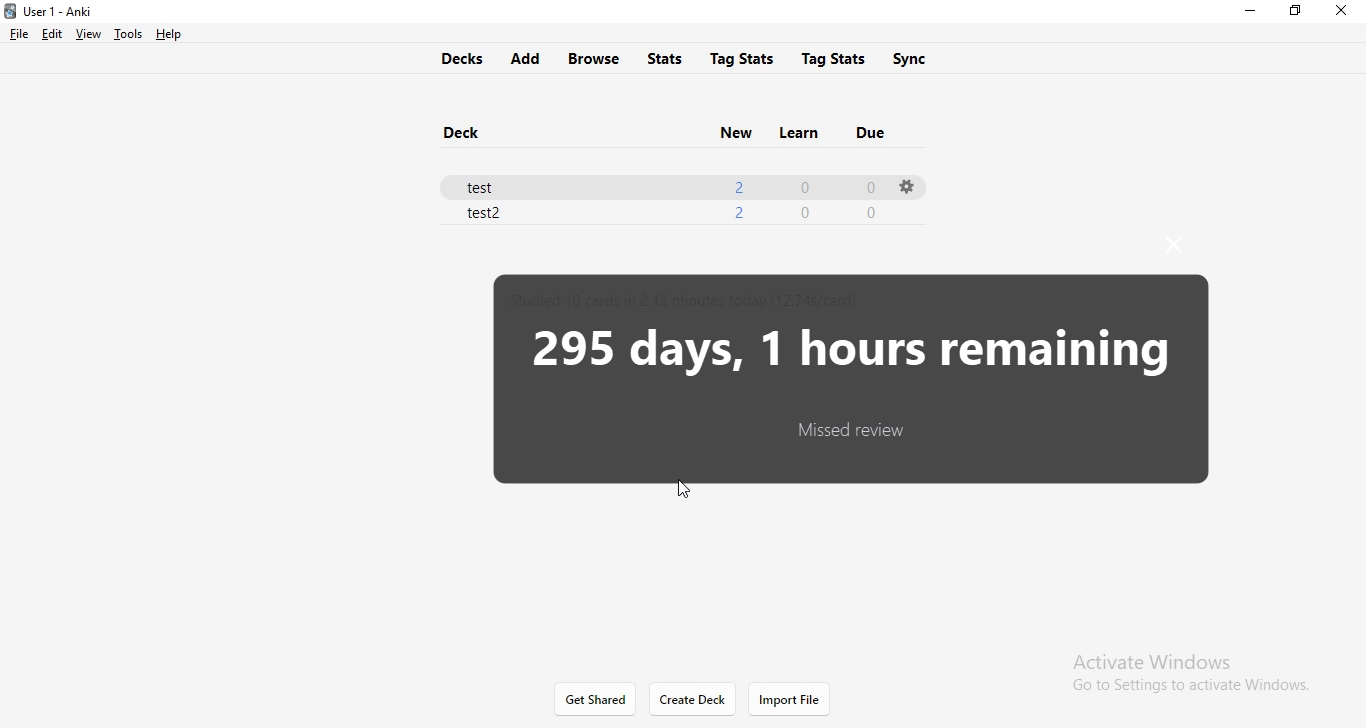  What do you see at coordinates (86, 34) in the screenshot?
I see `view` at bounding box center [86, 34].